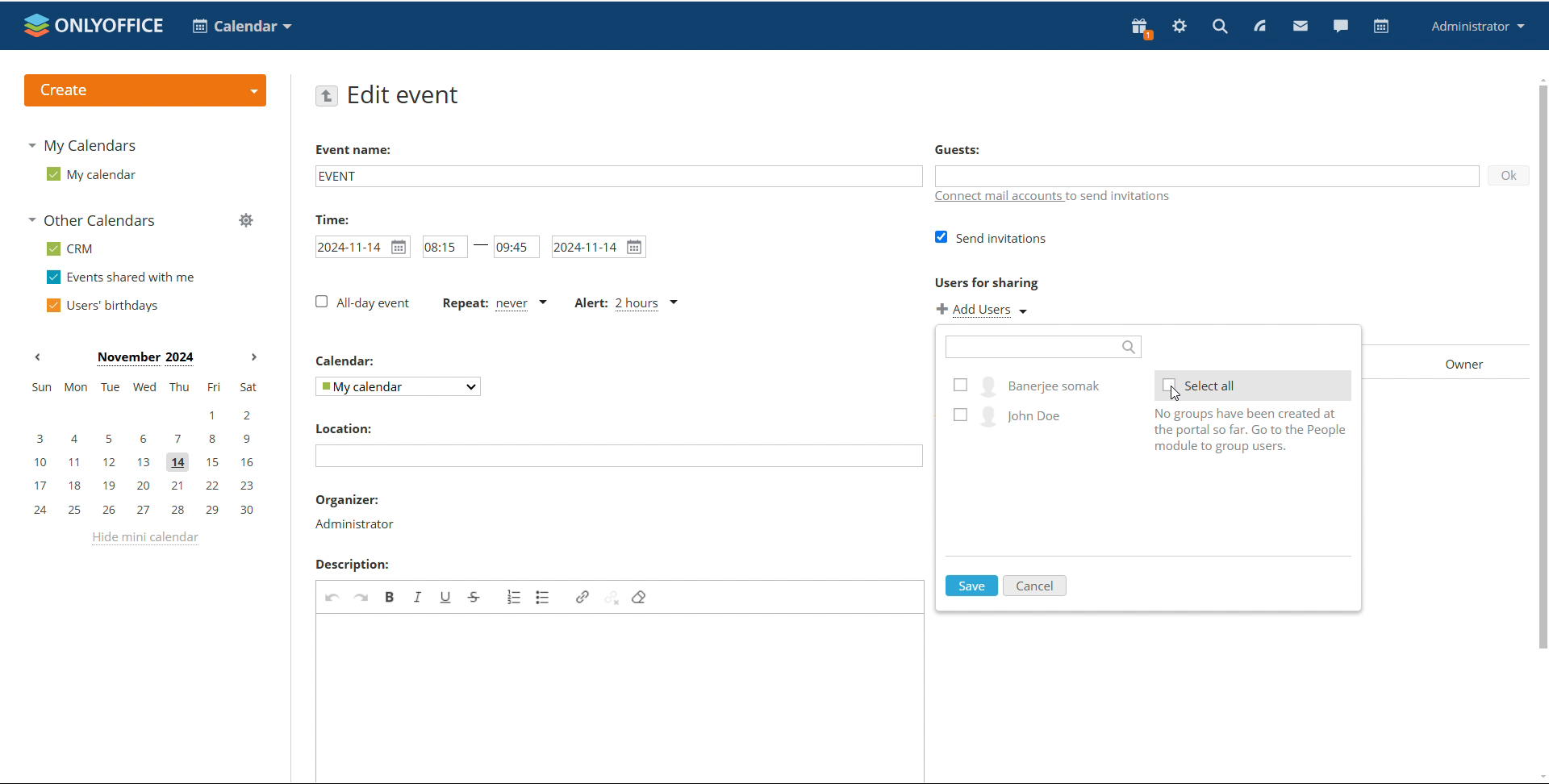  Describe the element at coordinates (1509, 175) in the screenshot. I see `ok` at that location.